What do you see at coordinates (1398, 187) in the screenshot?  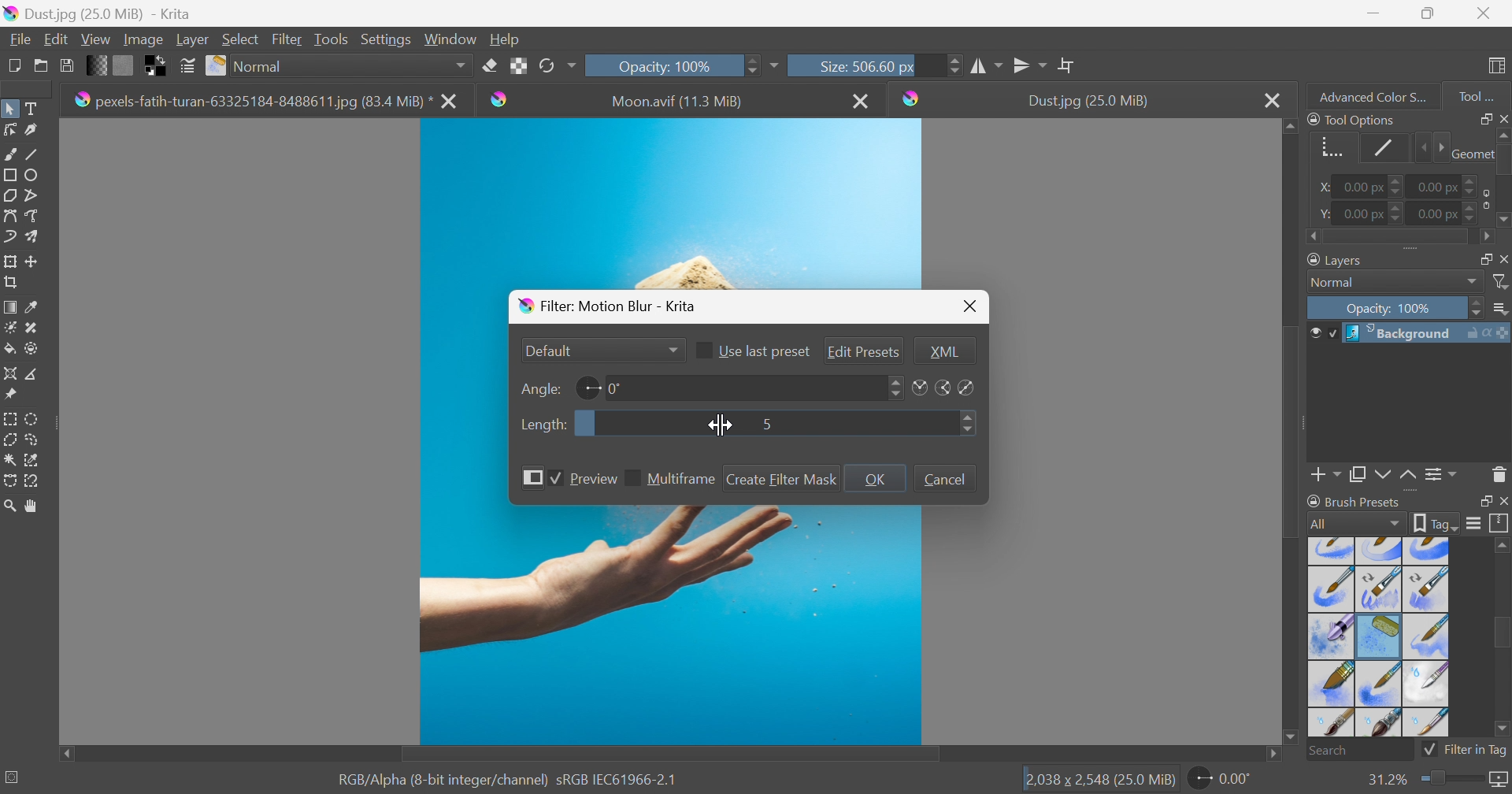 I see `Slider` at bounding box center [1398, 187].